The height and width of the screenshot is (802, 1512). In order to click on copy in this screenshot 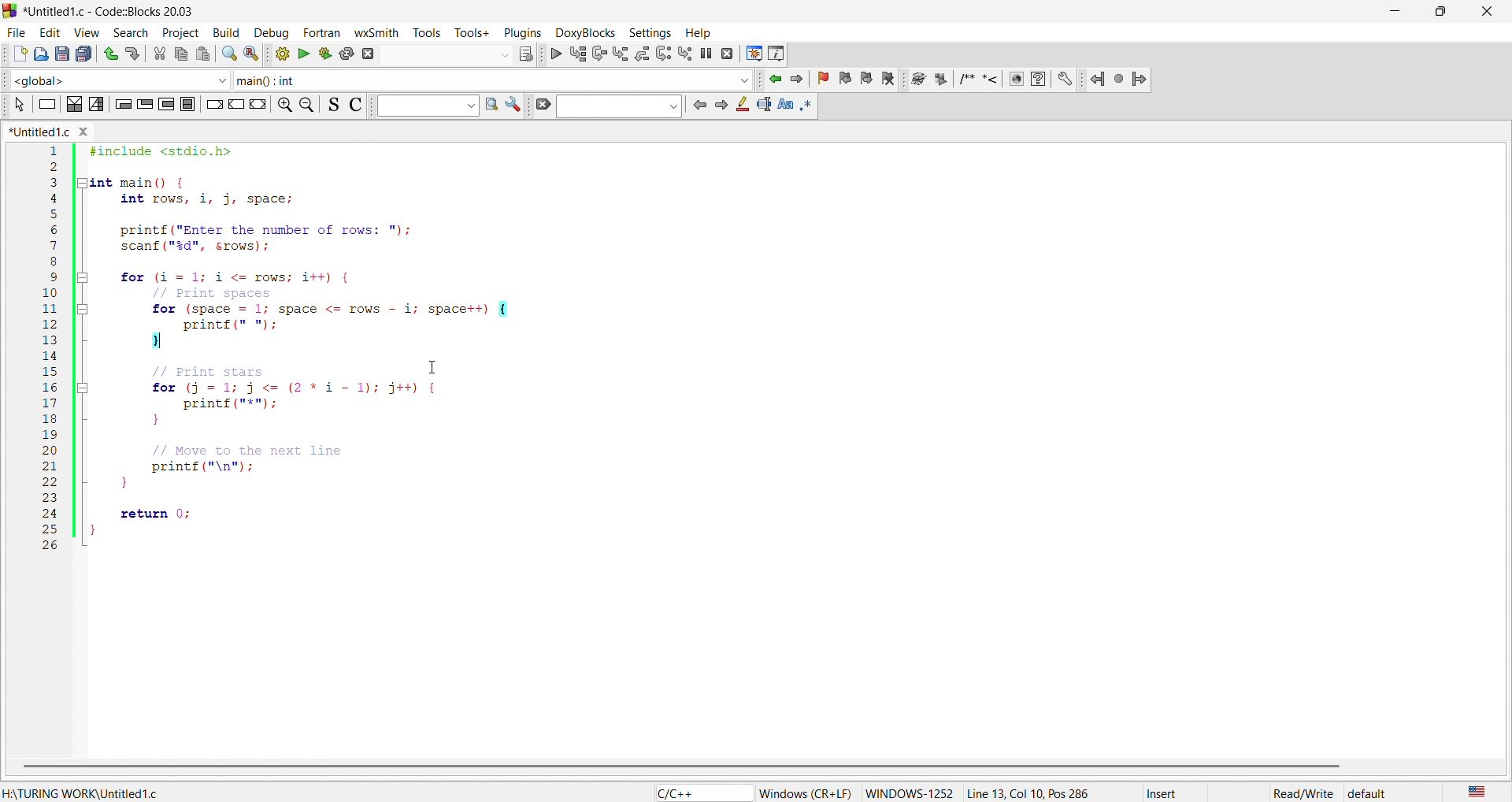, I will do `click(179, 56)`.